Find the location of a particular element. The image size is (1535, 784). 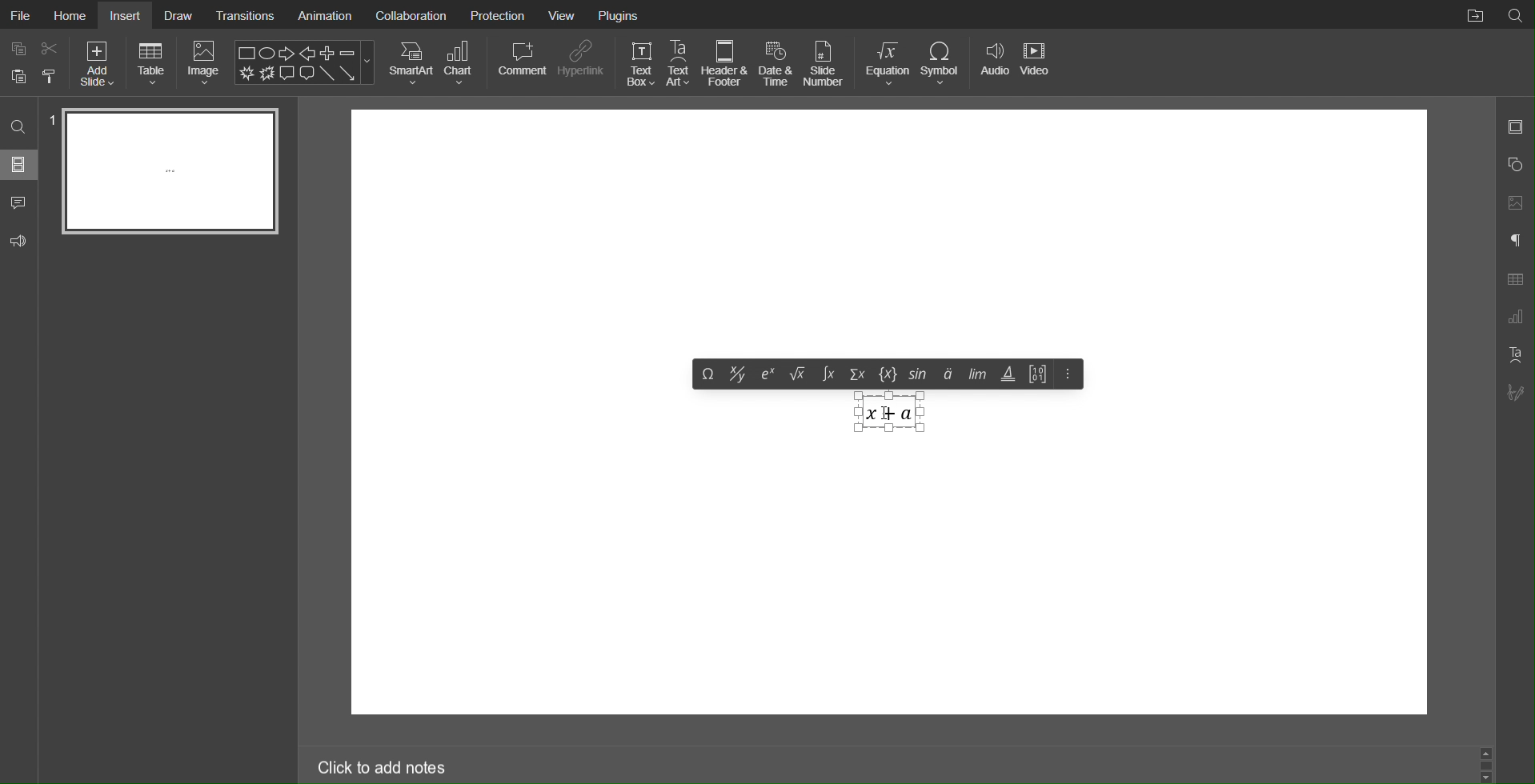

Symbols is located at coordinates (946, 376).